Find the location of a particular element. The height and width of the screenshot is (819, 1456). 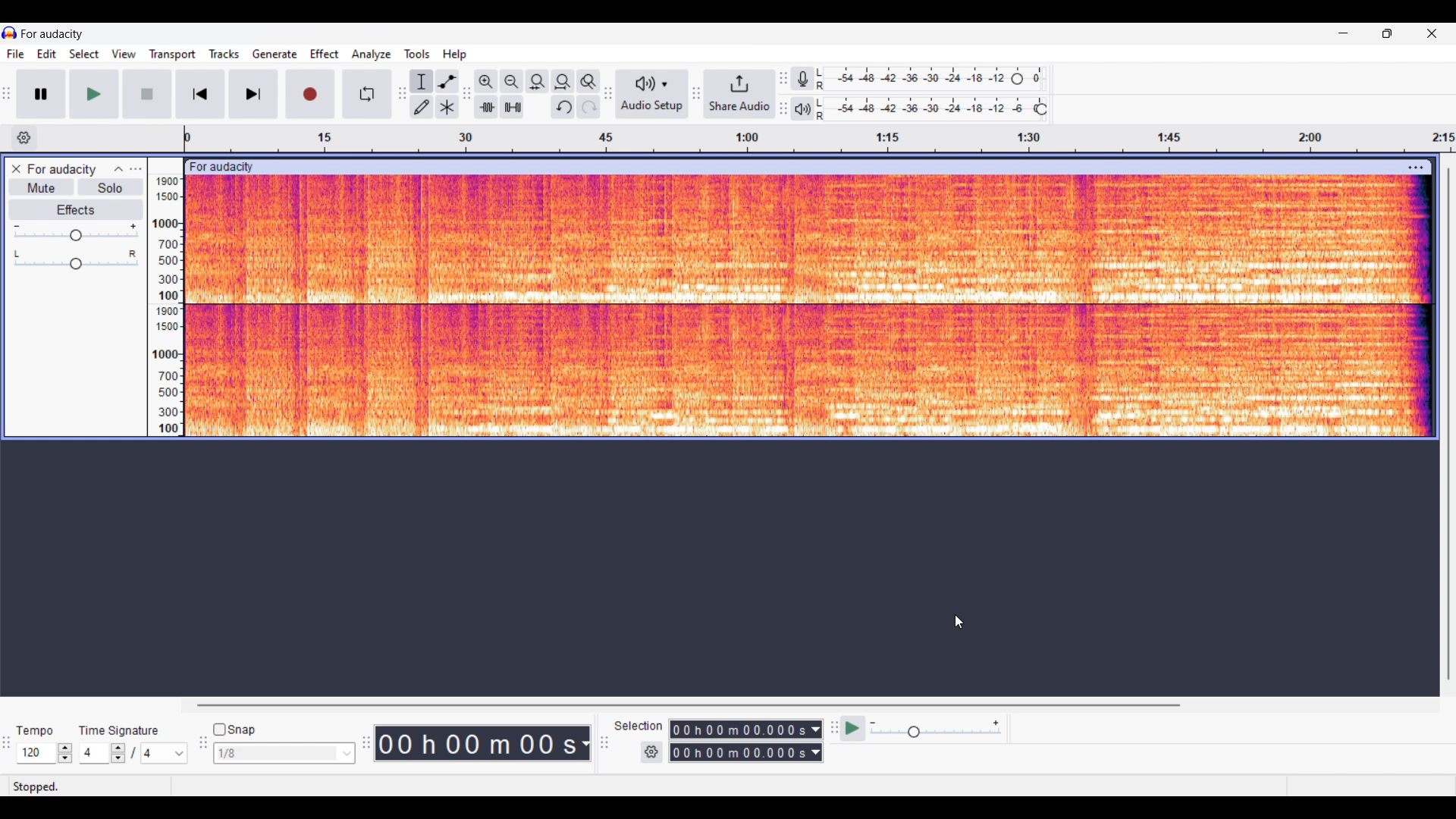

Tracks menu is located at coordinates (224, 54).